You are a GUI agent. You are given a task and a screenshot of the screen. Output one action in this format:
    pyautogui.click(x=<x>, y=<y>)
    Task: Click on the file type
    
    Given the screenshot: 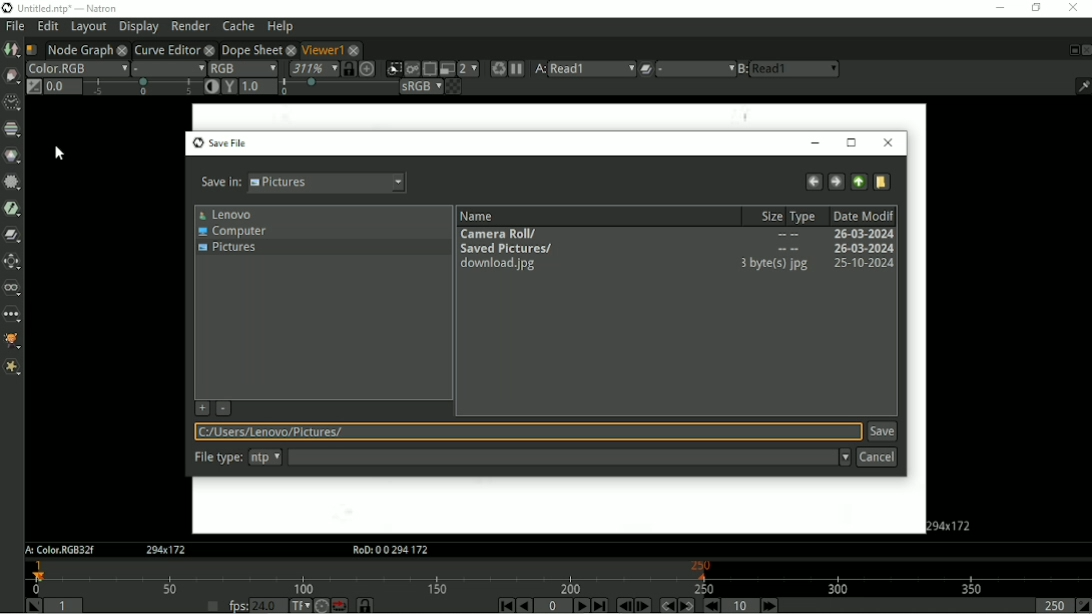 What is the action you would take?
    pyautogui.click(x=219, y=456)
    